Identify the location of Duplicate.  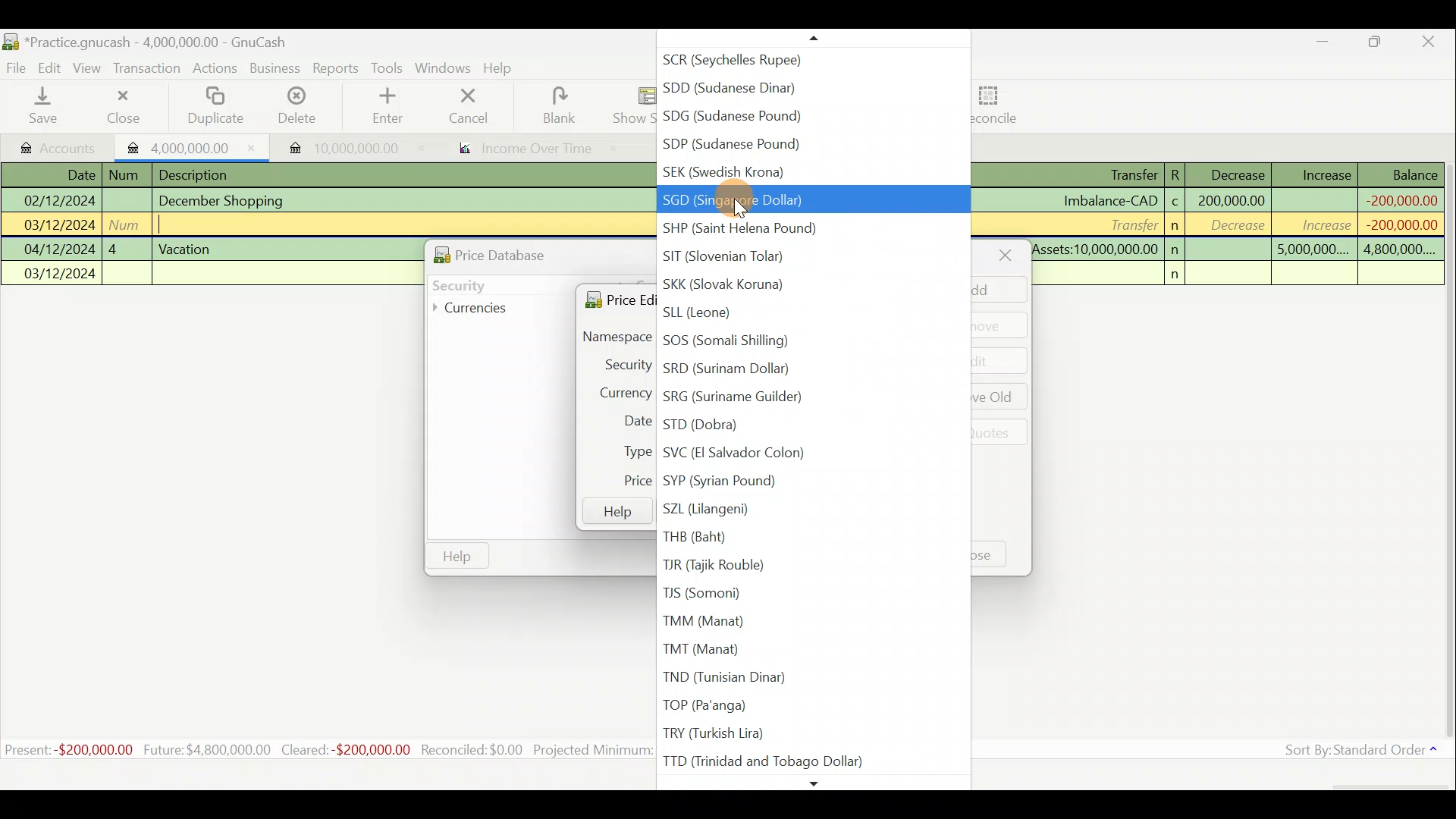
(218, 106).